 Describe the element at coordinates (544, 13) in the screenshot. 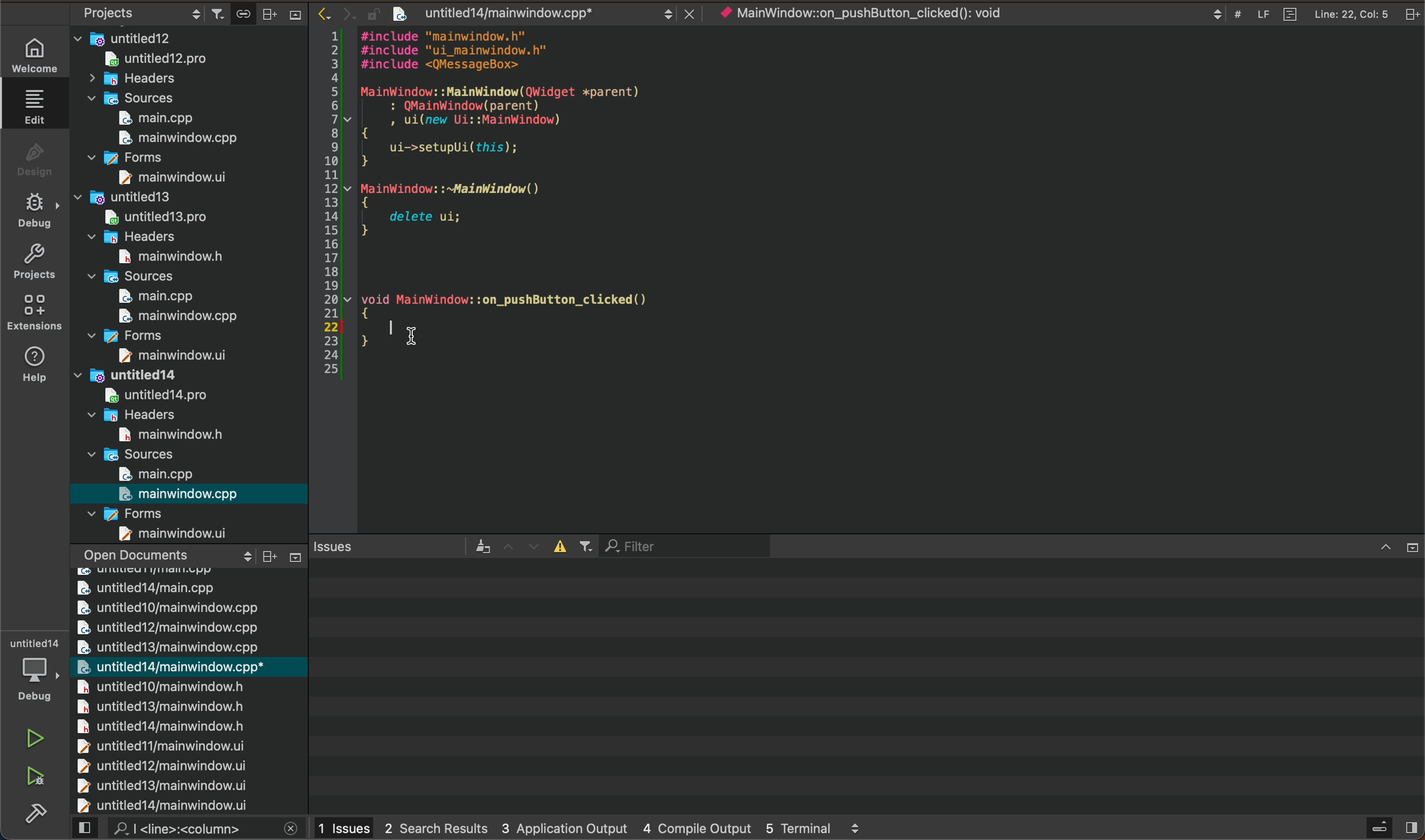

I see `filed` at that location.